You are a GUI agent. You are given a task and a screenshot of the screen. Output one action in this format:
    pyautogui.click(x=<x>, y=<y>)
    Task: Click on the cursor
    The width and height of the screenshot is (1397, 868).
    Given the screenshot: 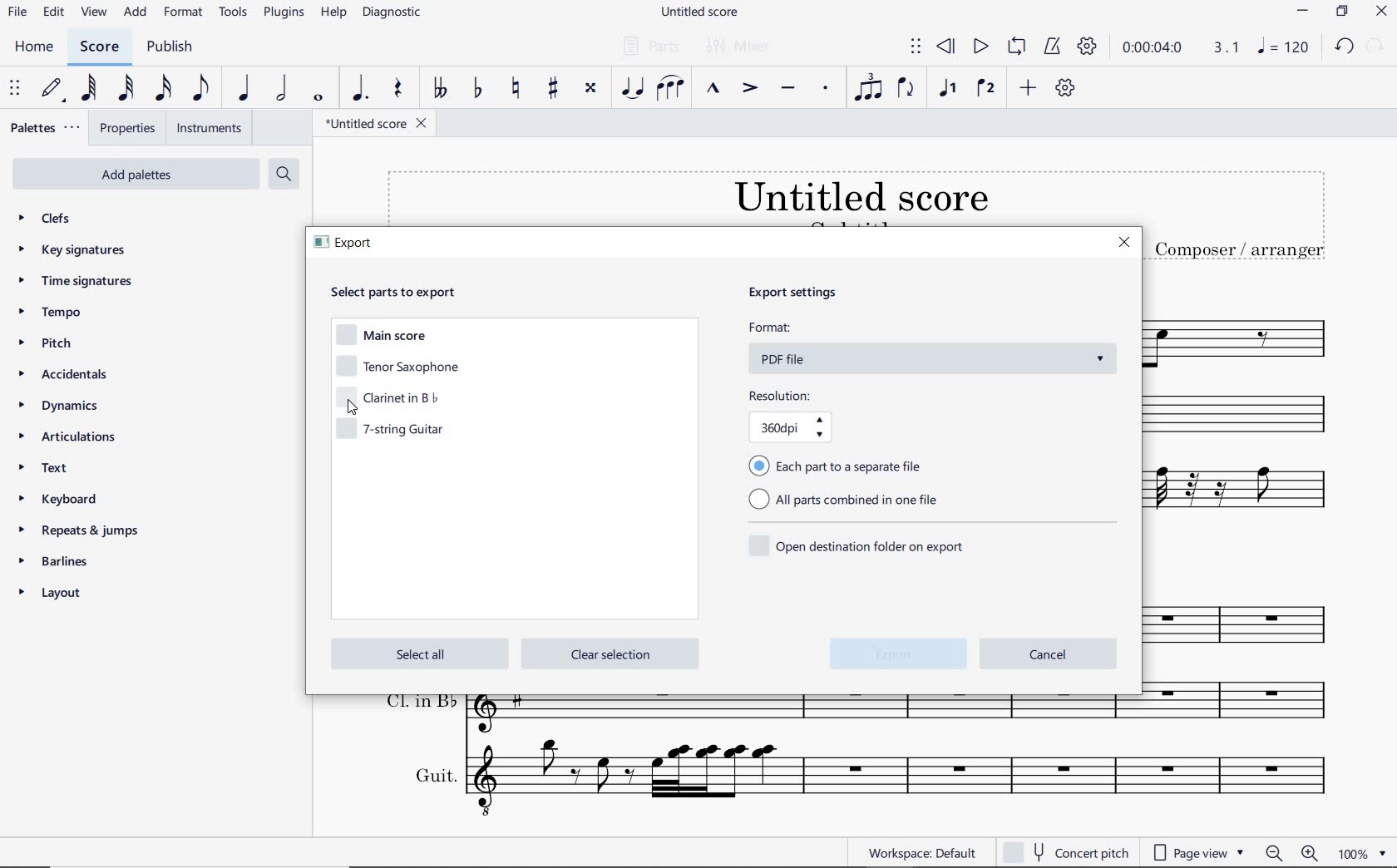 What is the action you would take?
    pyautogui.click(x=355, y=408)
    